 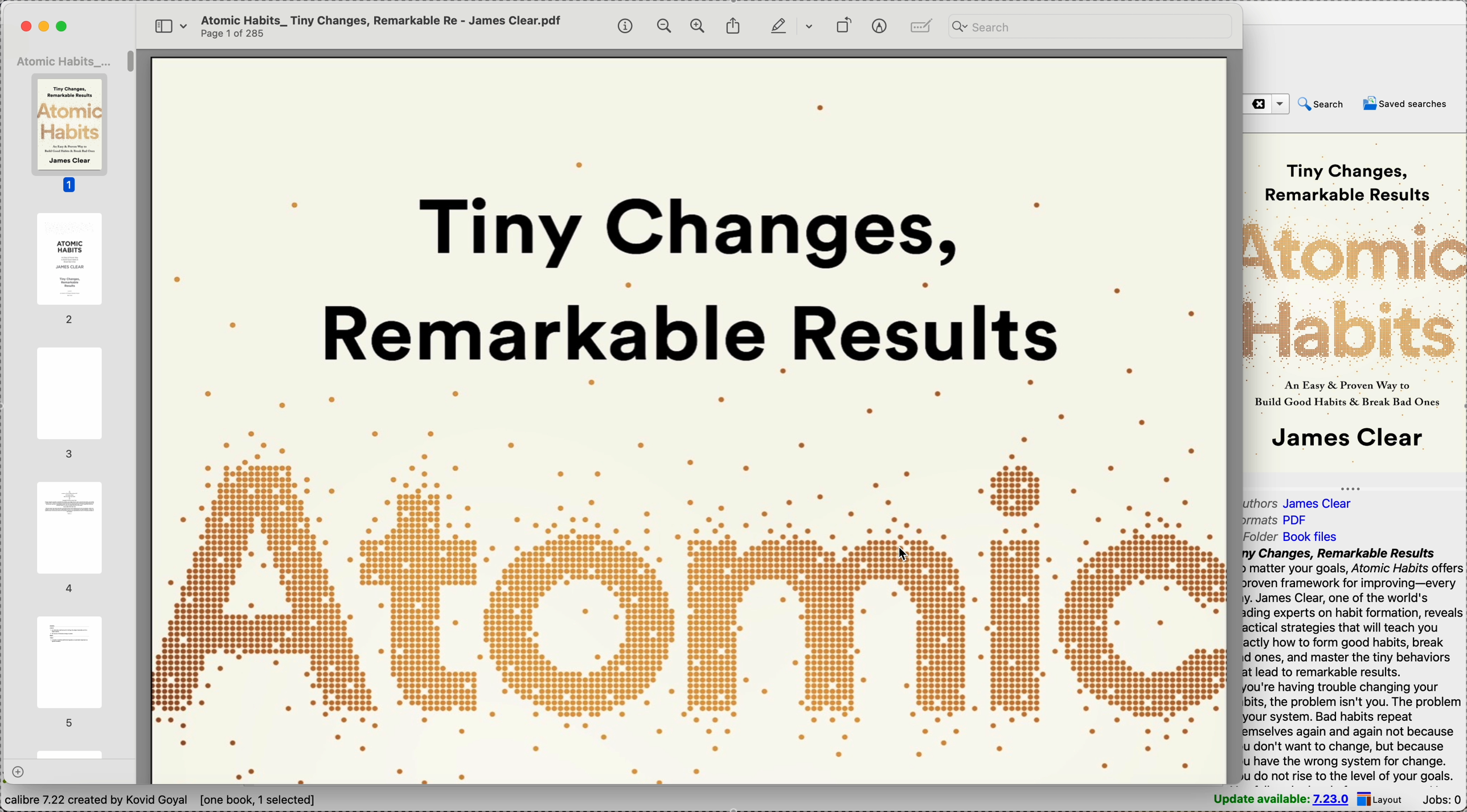 I want to click on book cover, so click(x=690, y=420).